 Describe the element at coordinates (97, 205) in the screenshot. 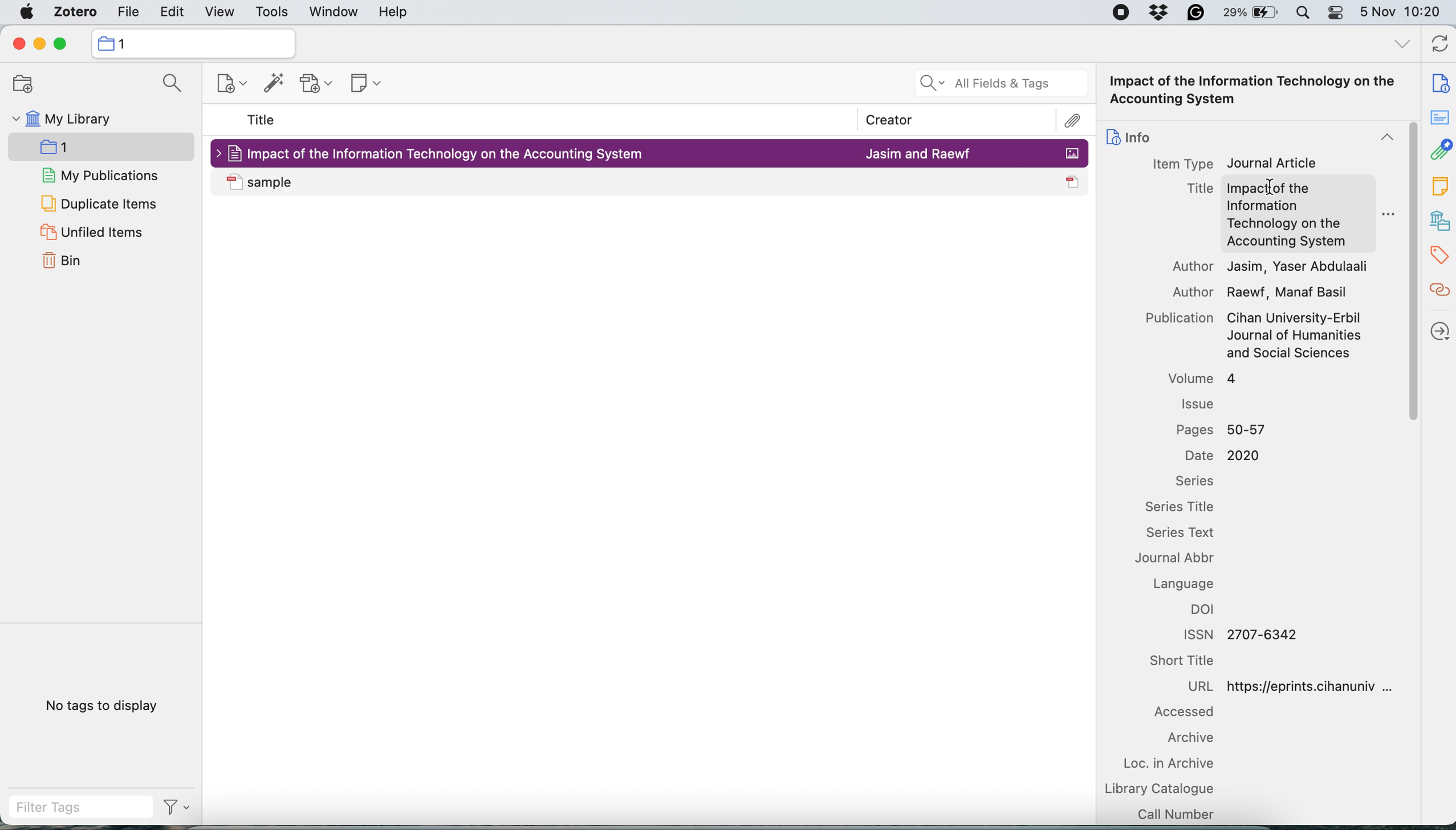

I see `duplicate items` at that location.